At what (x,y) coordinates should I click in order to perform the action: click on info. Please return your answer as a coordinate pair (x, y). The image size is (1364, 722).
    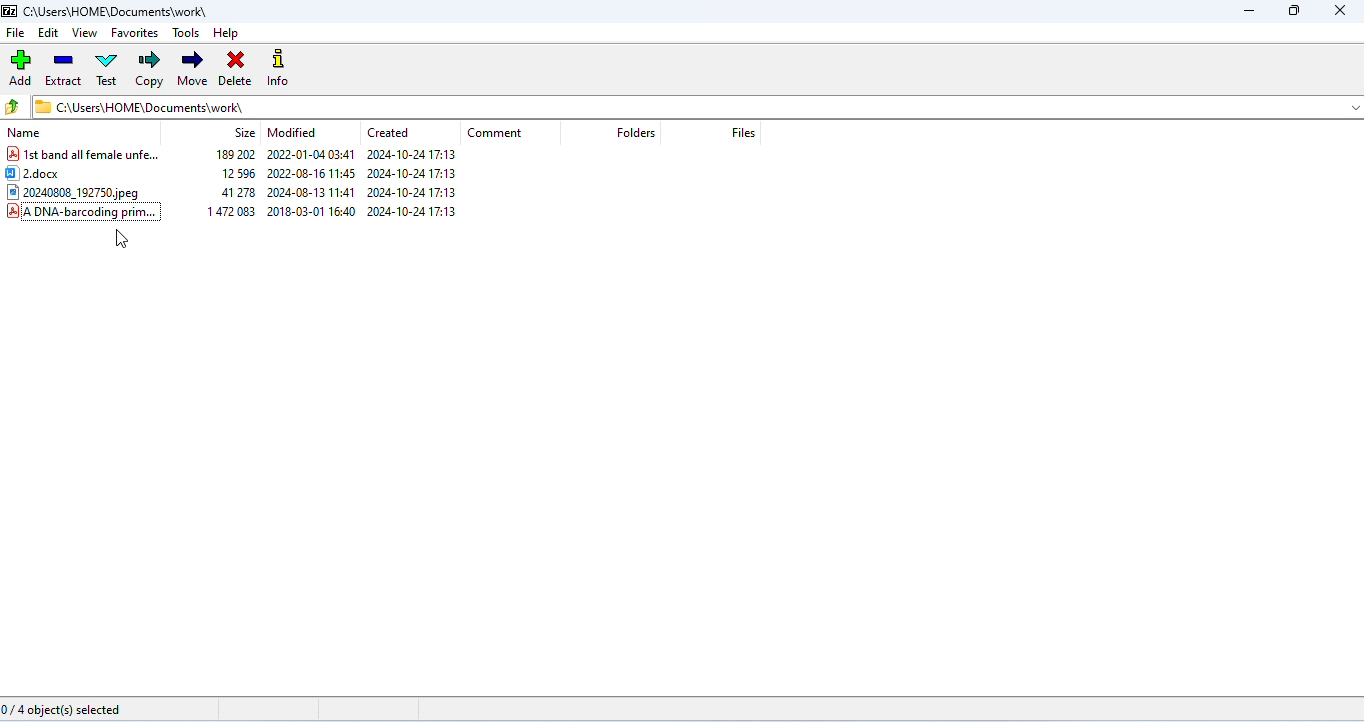
    Looking at the image, I should click on (283, 70).